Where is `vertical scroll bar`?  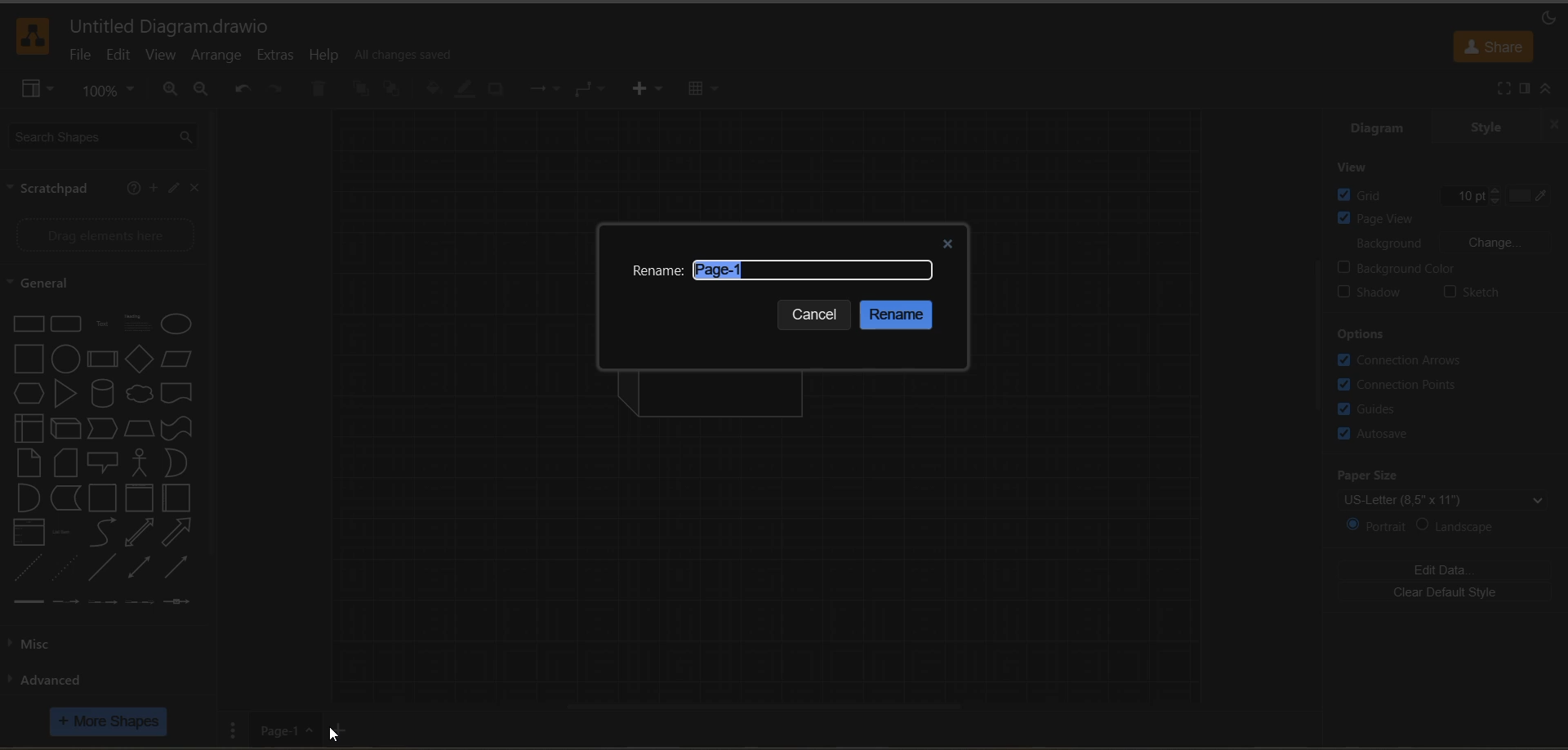 vertical scroll bar is located at coordinates (1319, 335).